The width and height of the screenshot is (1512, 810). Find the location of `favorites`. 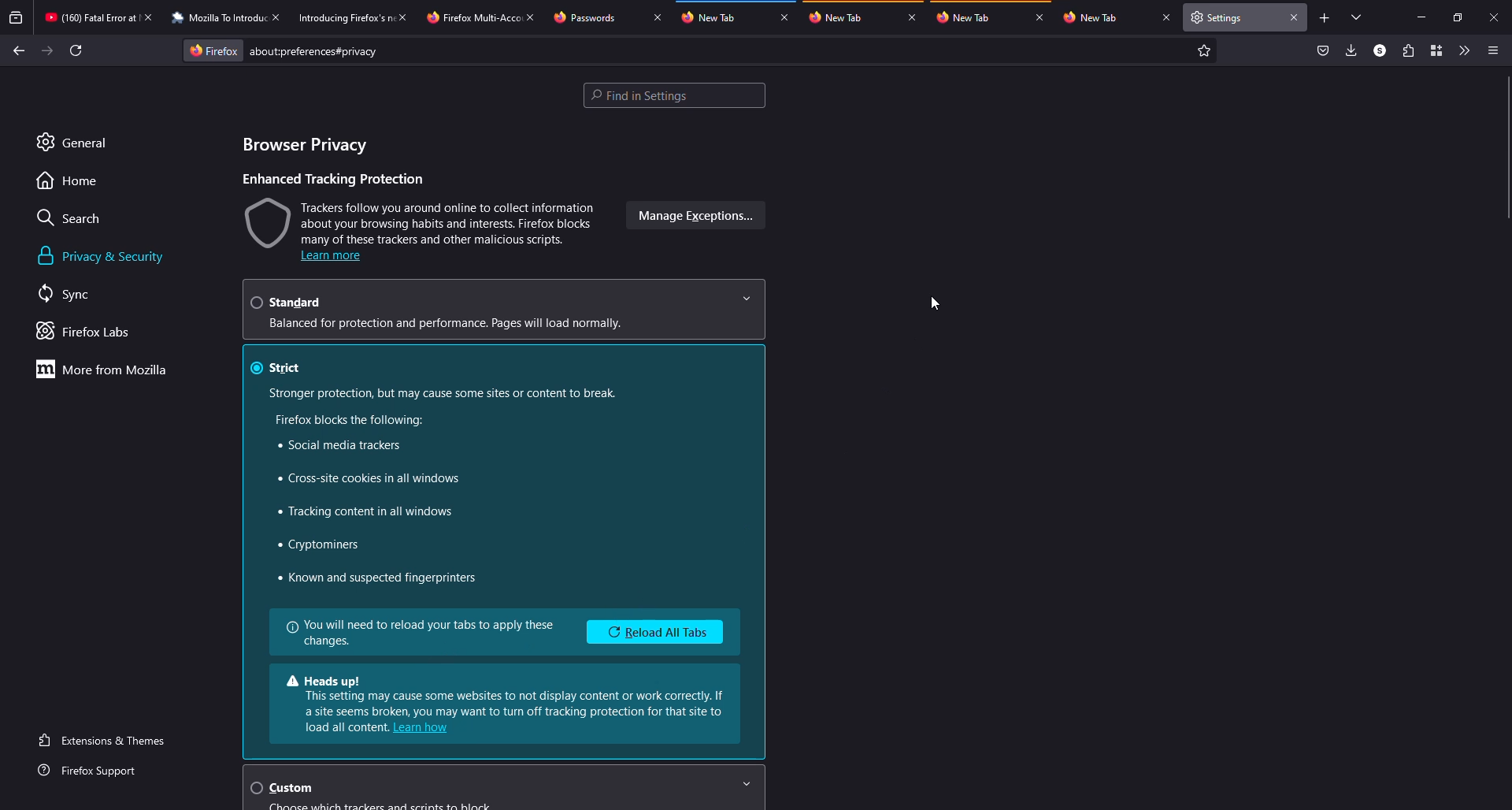

favorites is located at coordinates (1203, 49).